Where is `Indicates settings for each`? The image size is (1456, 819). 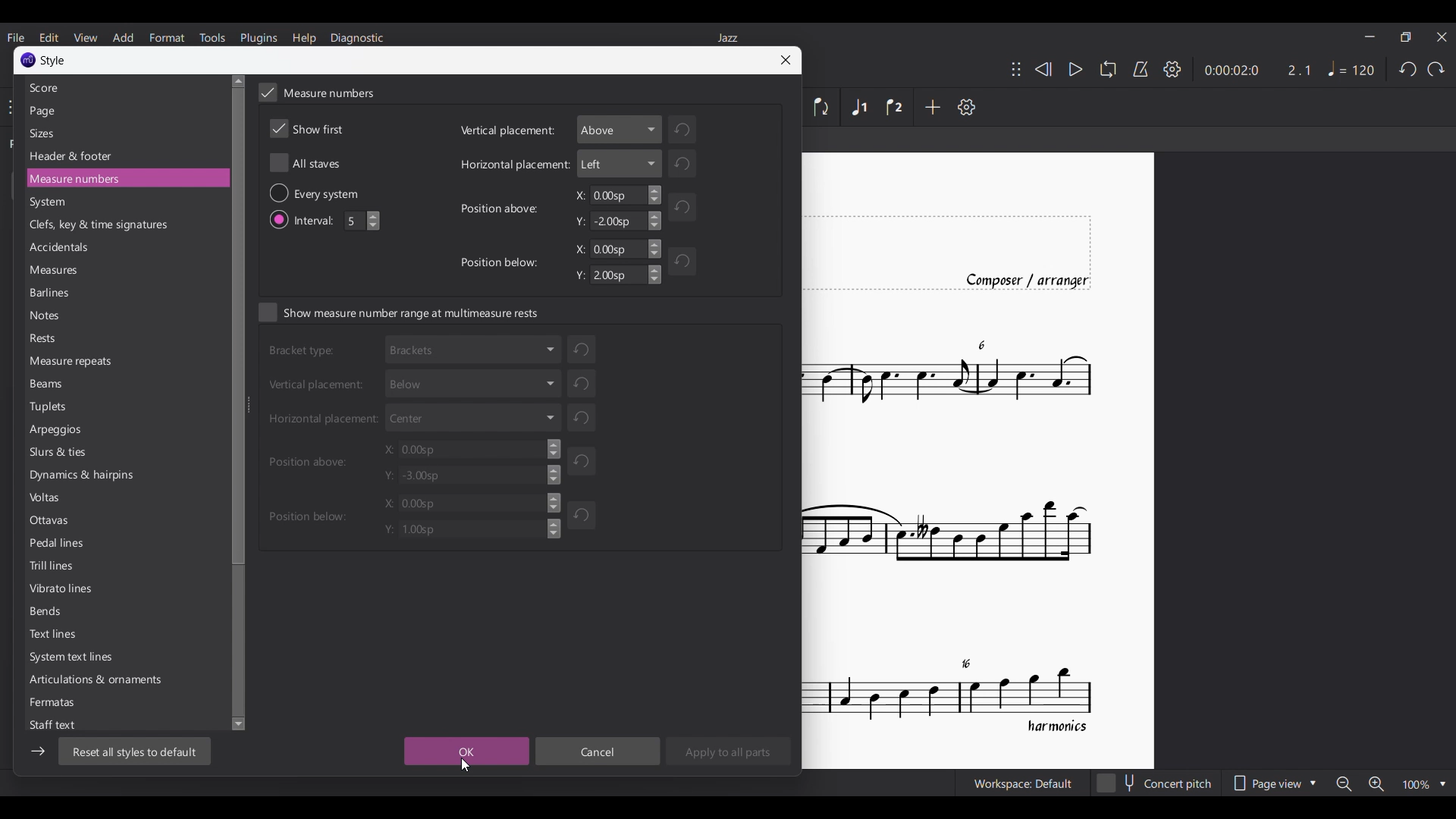
Indicates settings for each is located at coordinates (506, 133).